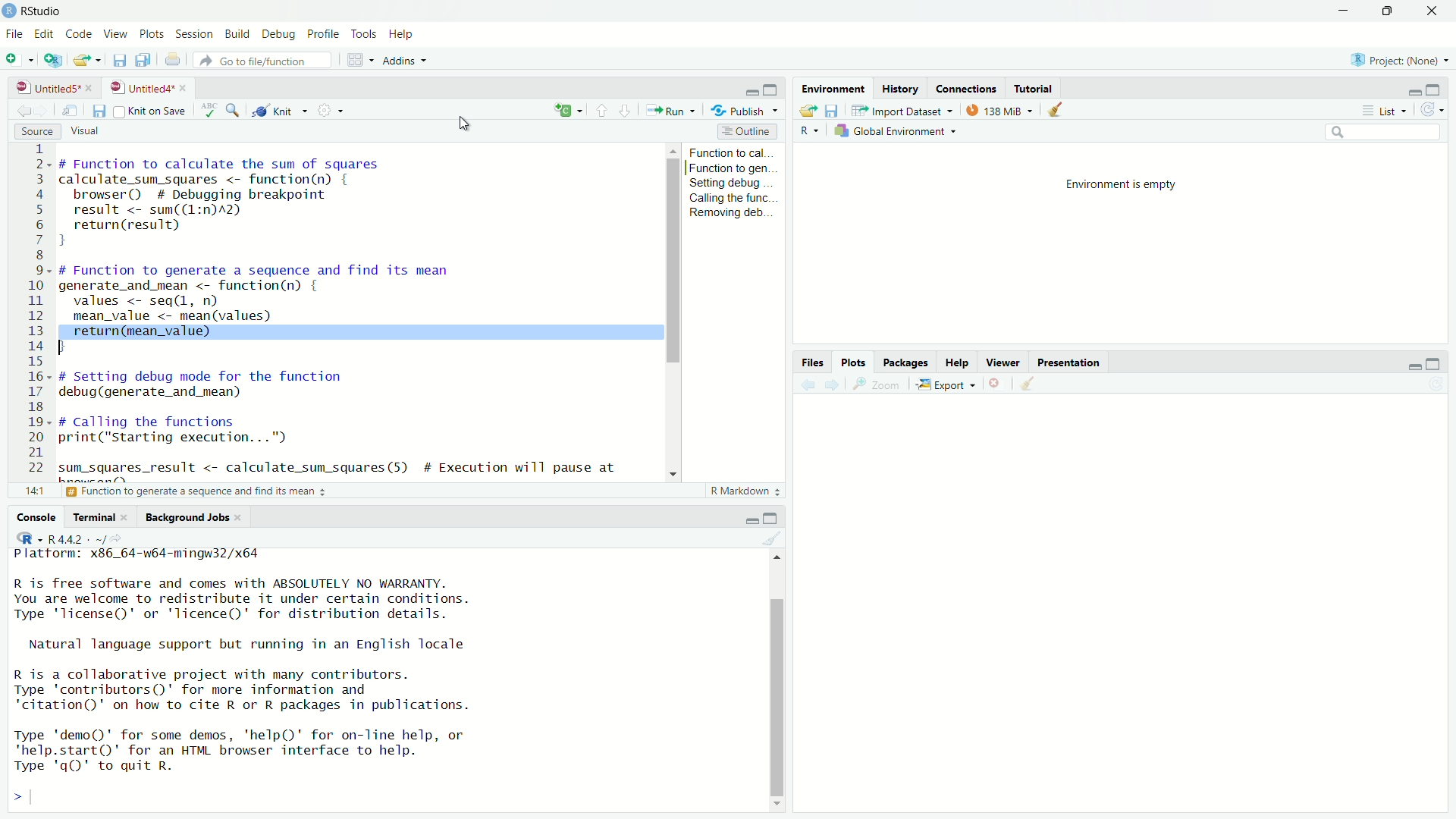 Image resolution: width=1456 pixels, height=819 pixels. I want to click on tutorial, so click(1036, 86).